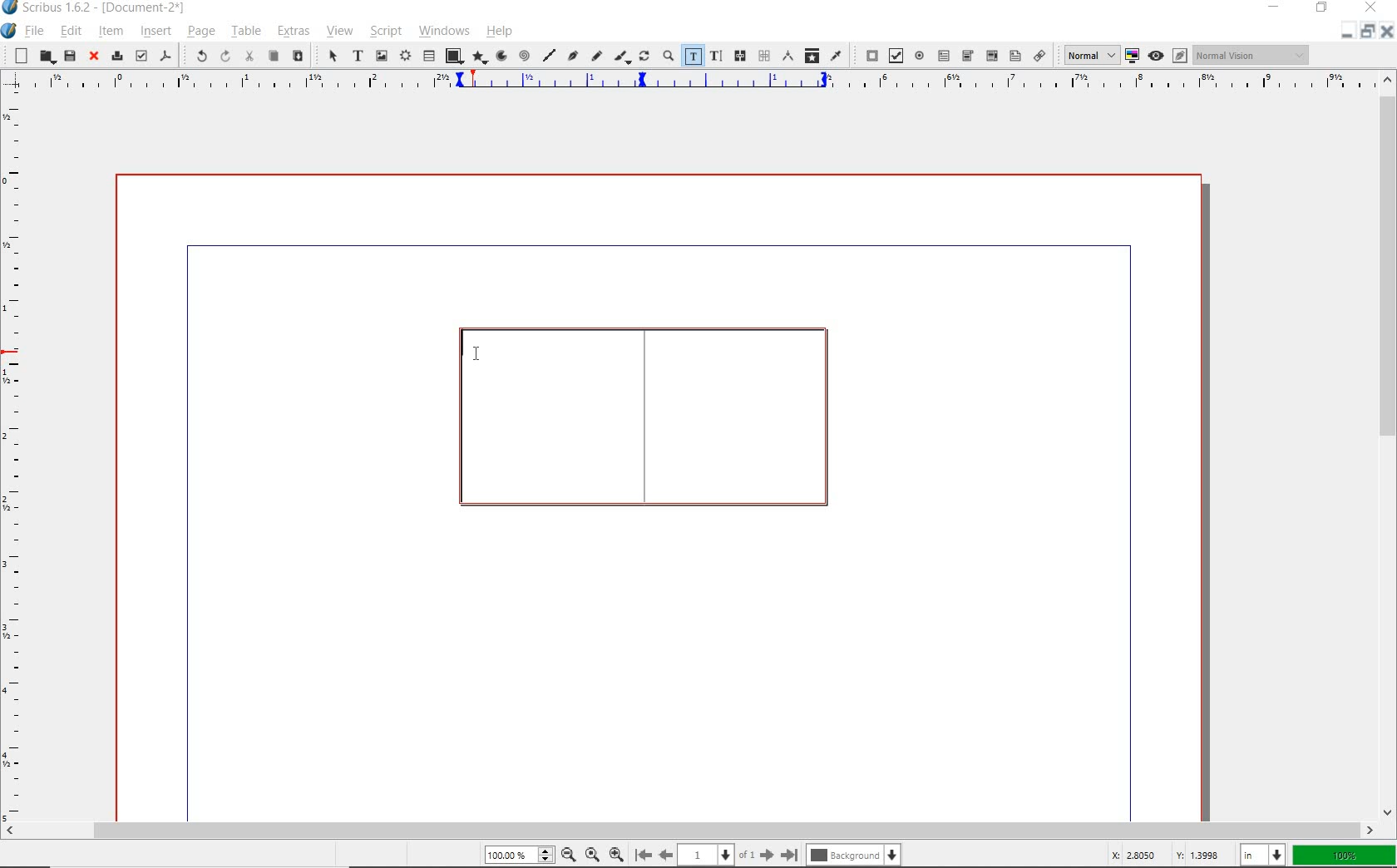 The image size is (1397, 868). What do you see at coordinates (165, 56) in the screenshot?
I see `save as pdf` at bounding box center [165, 56].